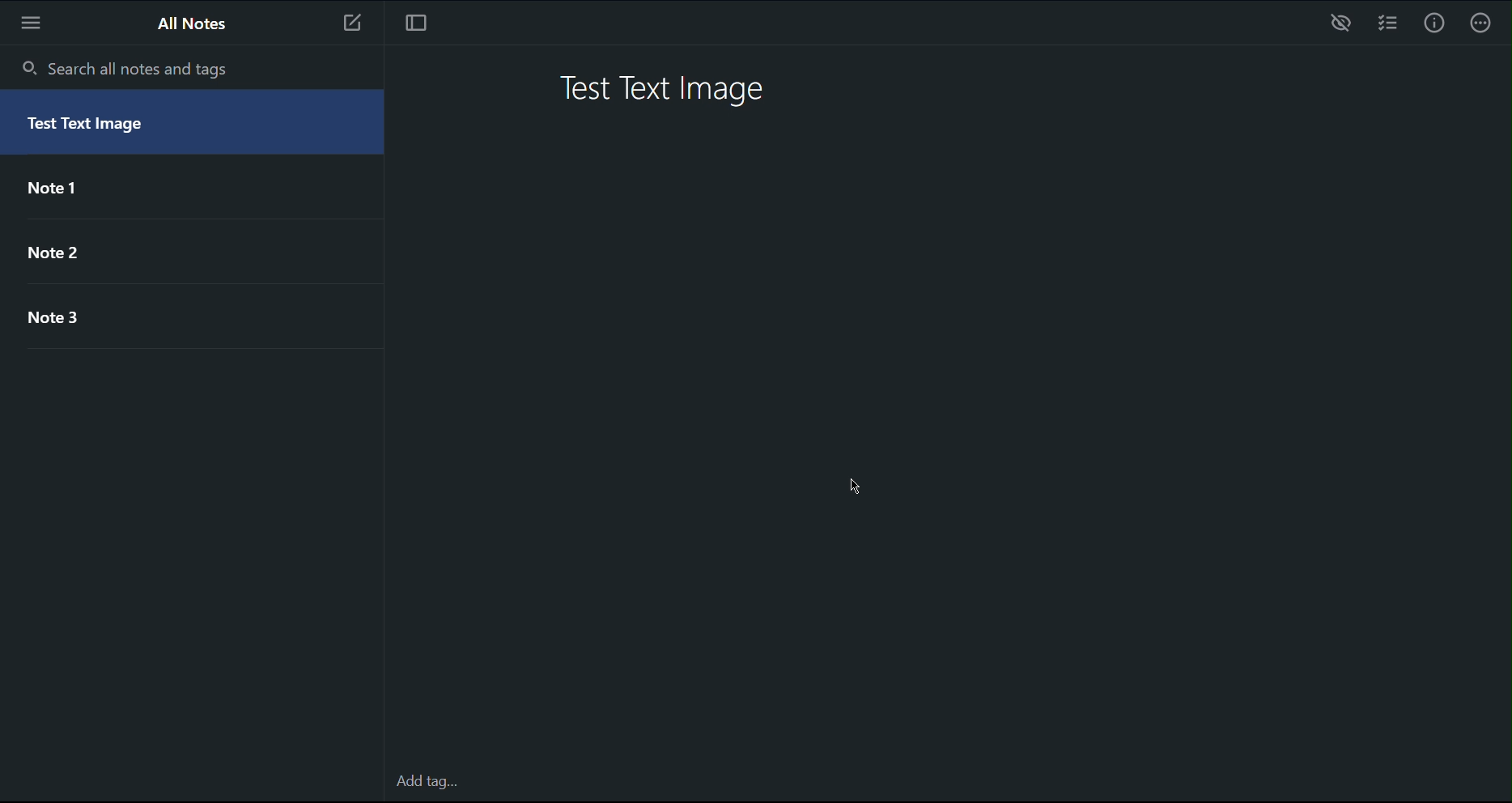 This screenshot has width=1512, height=803. Describe the element at coordinates (420, 23) in the screenshot. I see `Focus Mode` at that location.